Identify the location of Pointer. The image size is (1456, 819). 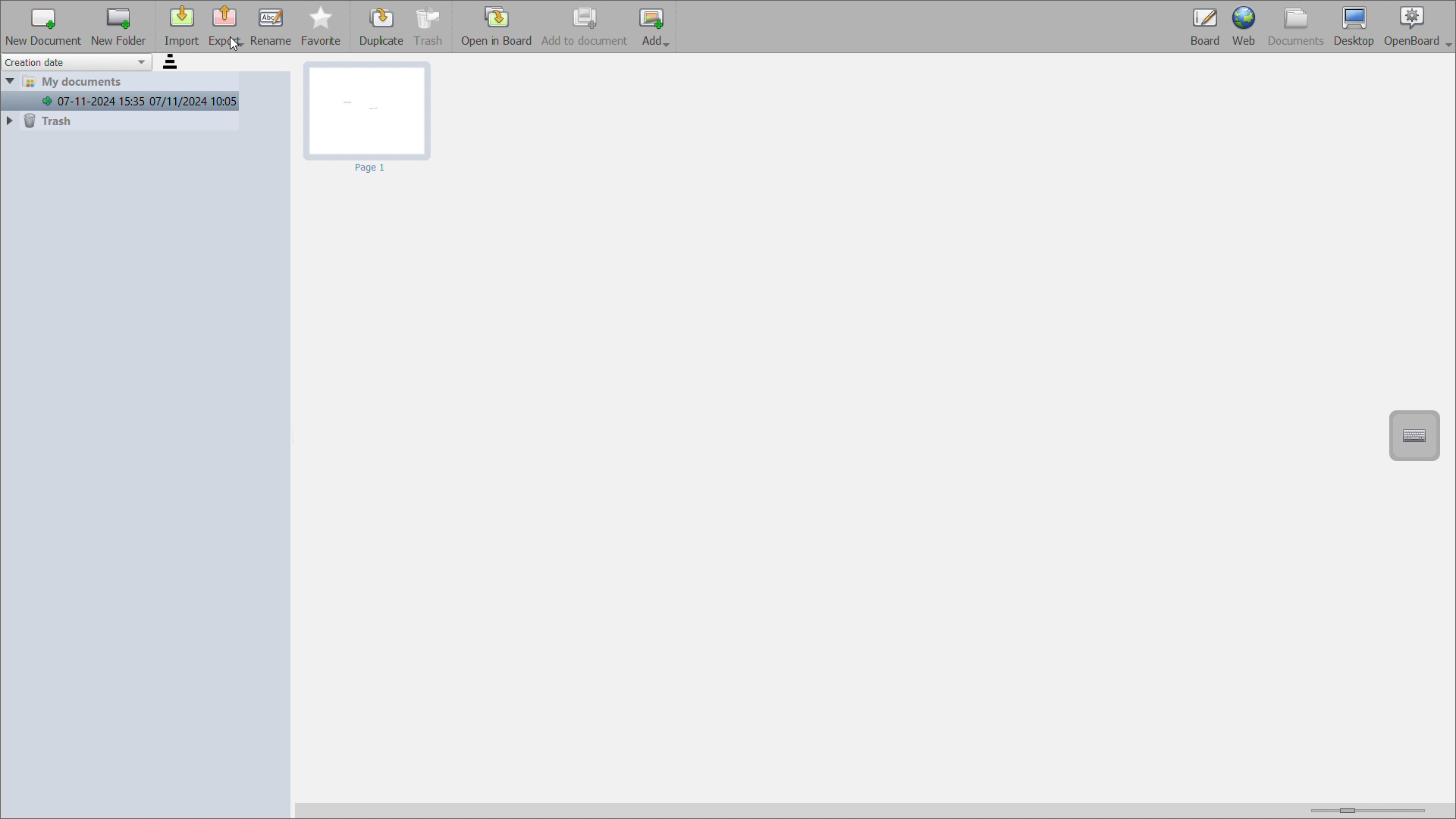
(234, 47).